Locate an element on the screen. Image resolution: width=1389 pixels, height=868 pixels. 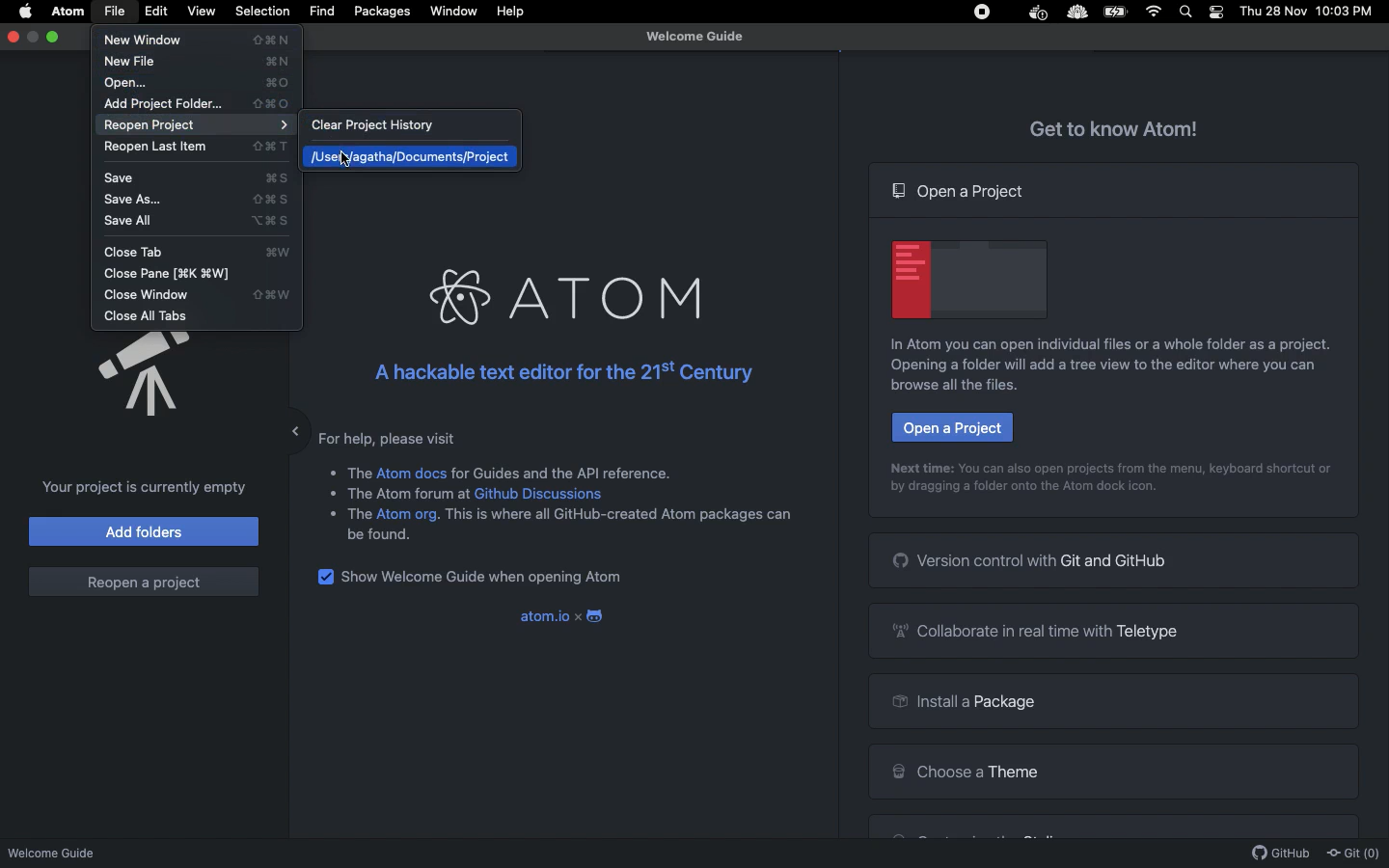
GitHub is located at coordinates (1281, 854).